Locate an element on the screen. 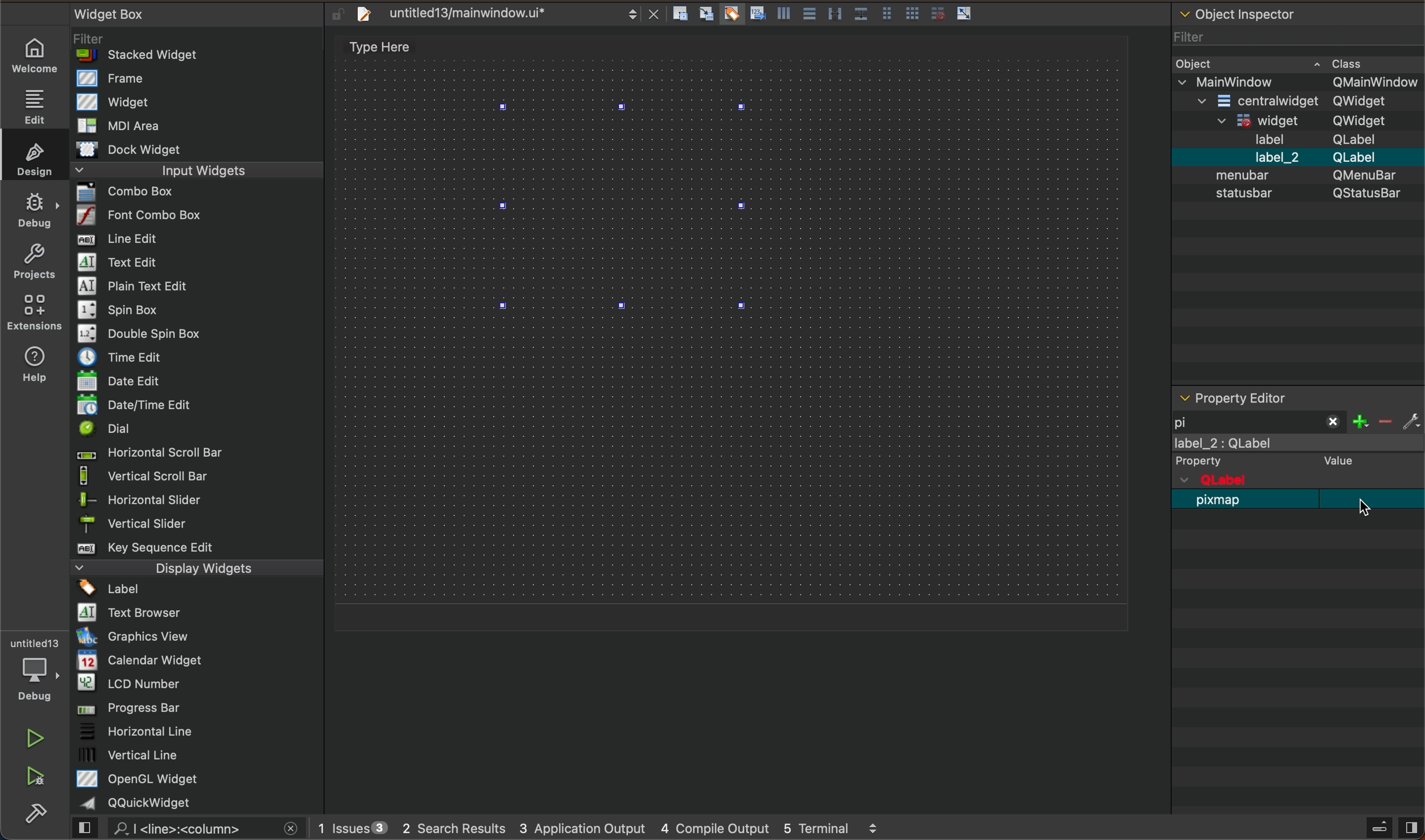 The image size is (1425, 840). pixmap is located at coordinates (1300, 500).